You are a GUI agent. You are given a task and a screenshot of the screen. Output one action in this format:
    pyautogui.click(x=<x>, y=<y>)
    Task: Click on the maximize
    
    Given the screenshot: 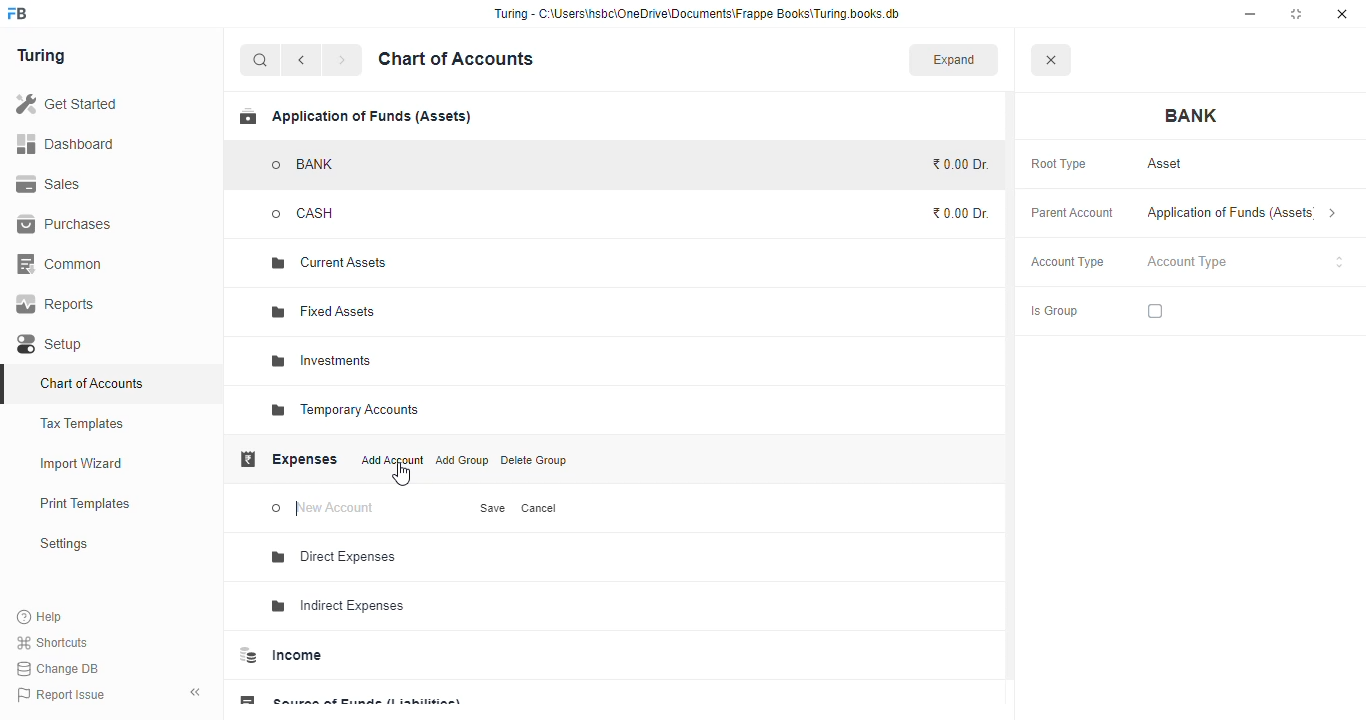 What is the action you would take?
    pyautogui.click(x=1296, y=14)
    